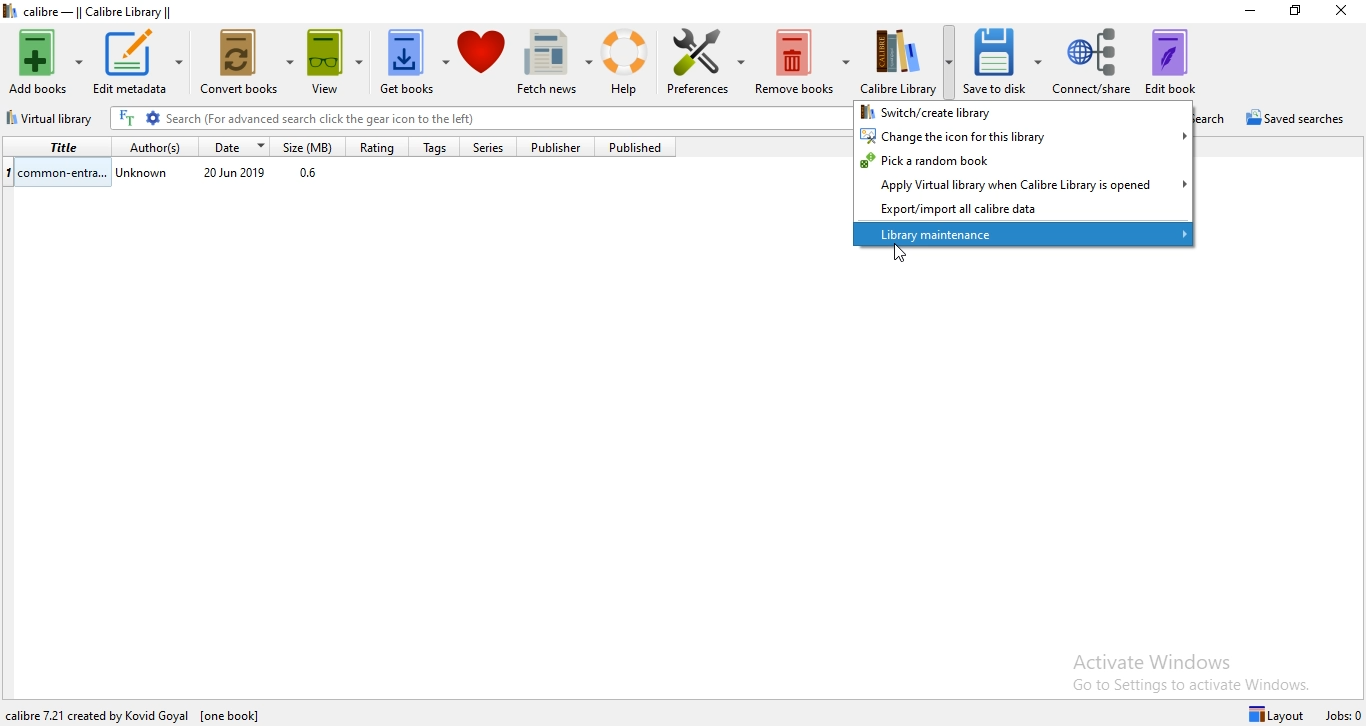  What do you see at coordinates (153, 119) in the screenshot?
I see `Advanced search` at bounding box center [153, 119].